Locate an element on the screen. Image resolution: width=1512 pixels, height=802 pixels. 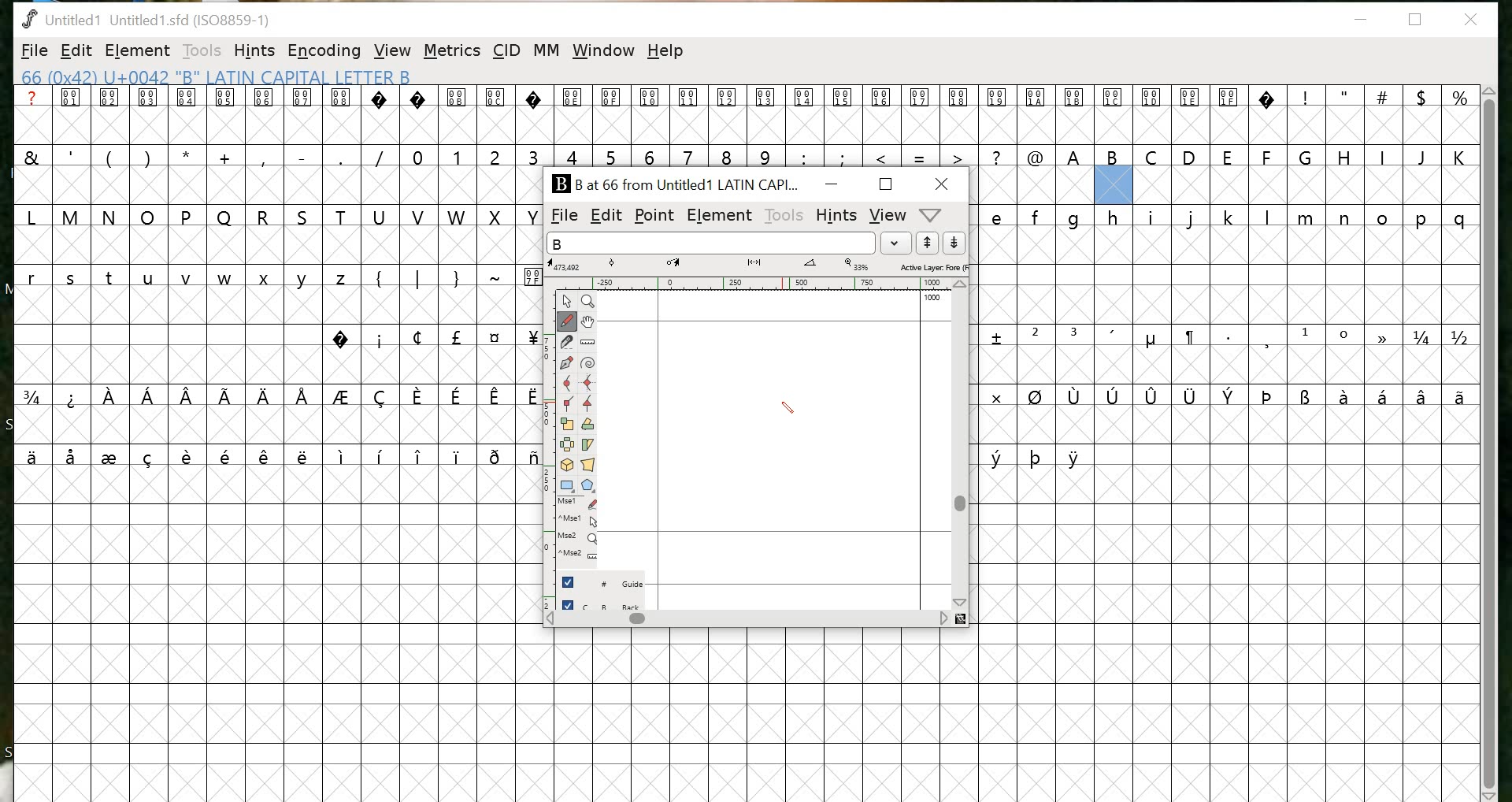
ruler is located at coordinates (748, 284).